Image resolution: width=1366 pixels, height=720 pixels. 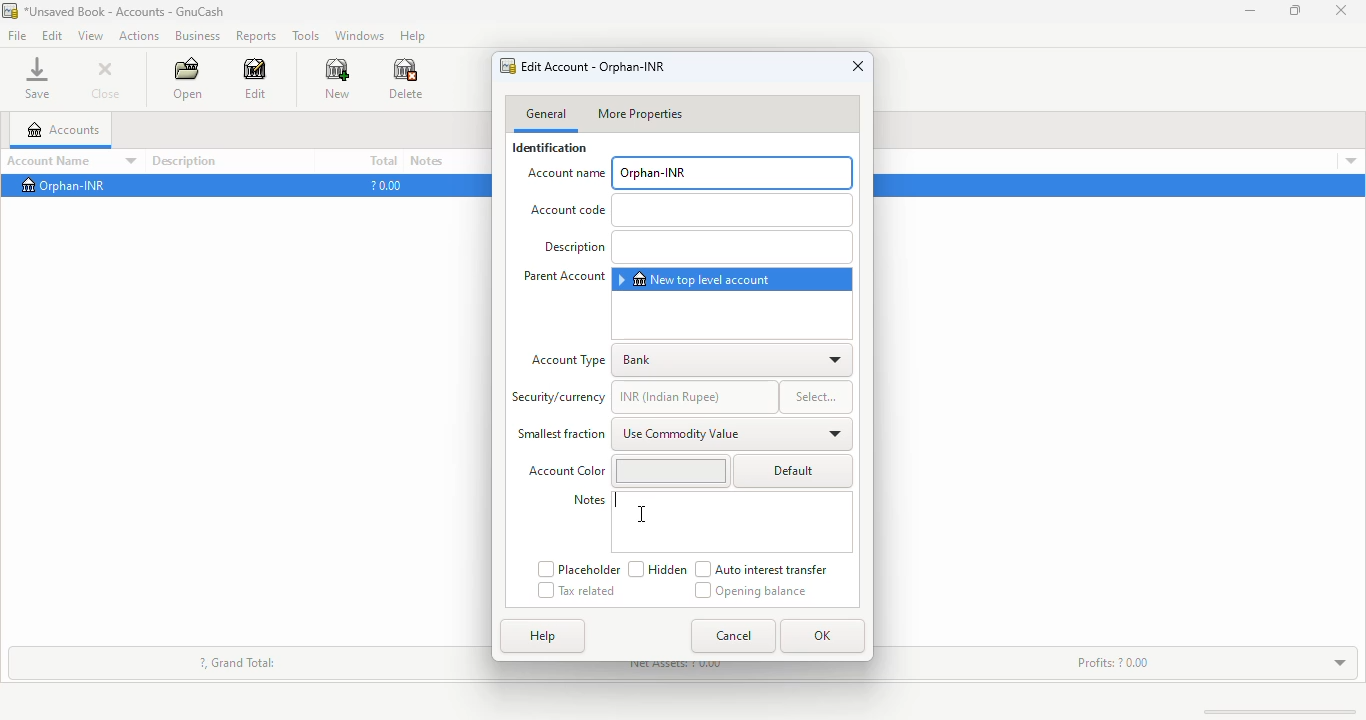 I want to click on Orphan-INR, so click(x=57, y=188).